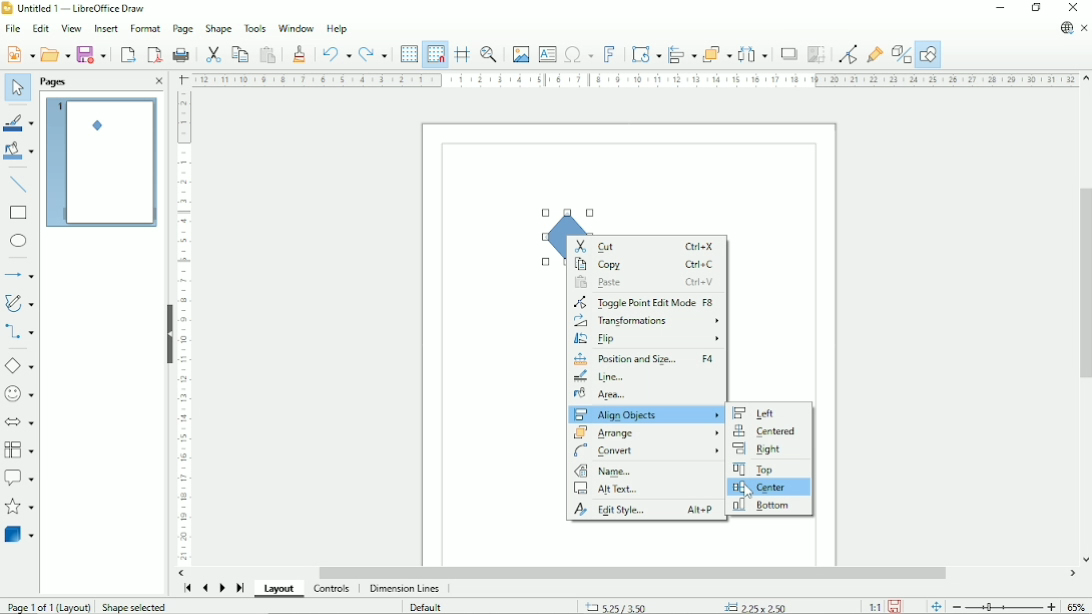  I want to click on Right, so click(761, 450).